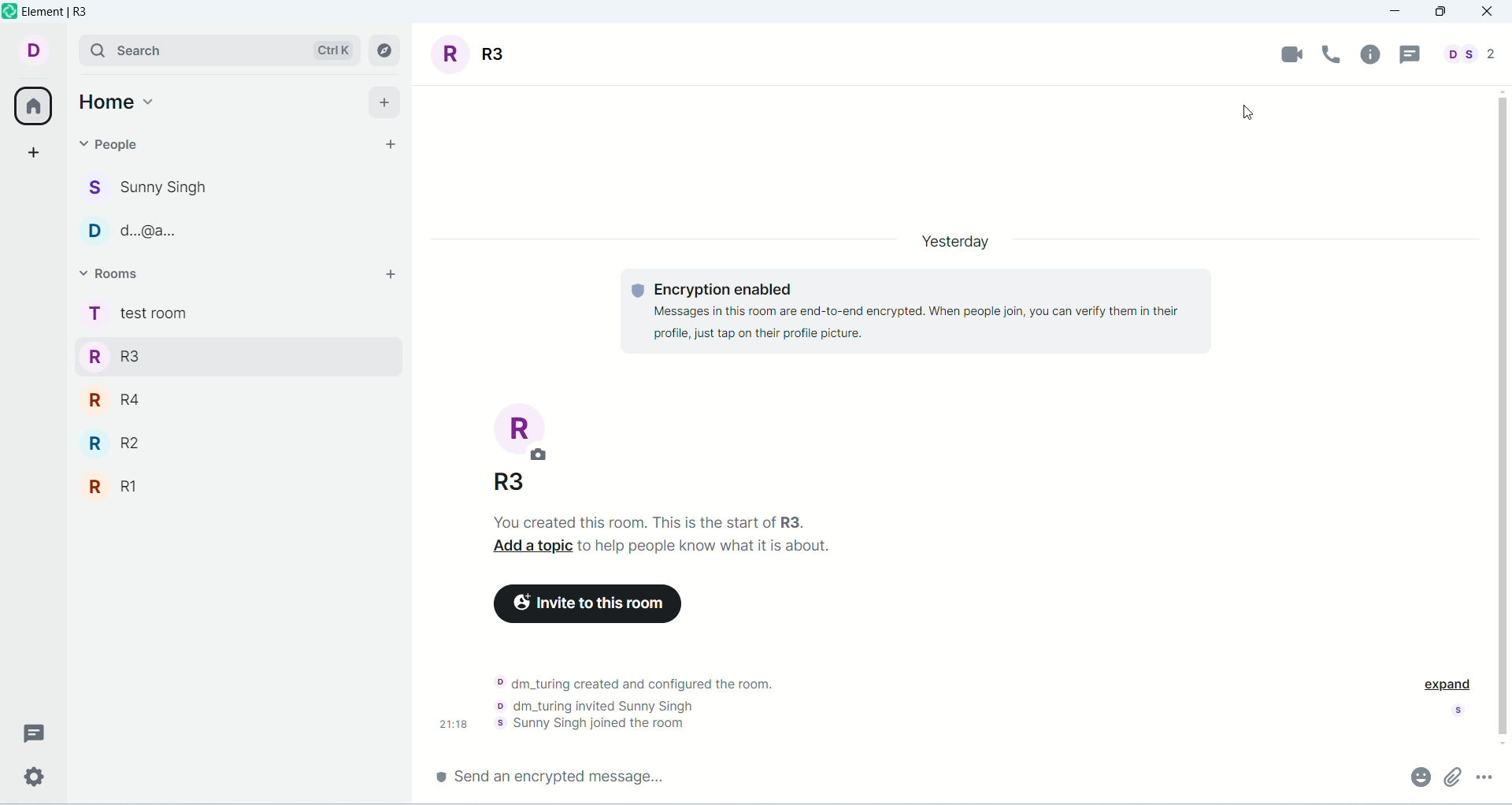  What do you see at coordinates (9, 14) in the screenshot?
I see `logo` at bounding box center [9, 14].